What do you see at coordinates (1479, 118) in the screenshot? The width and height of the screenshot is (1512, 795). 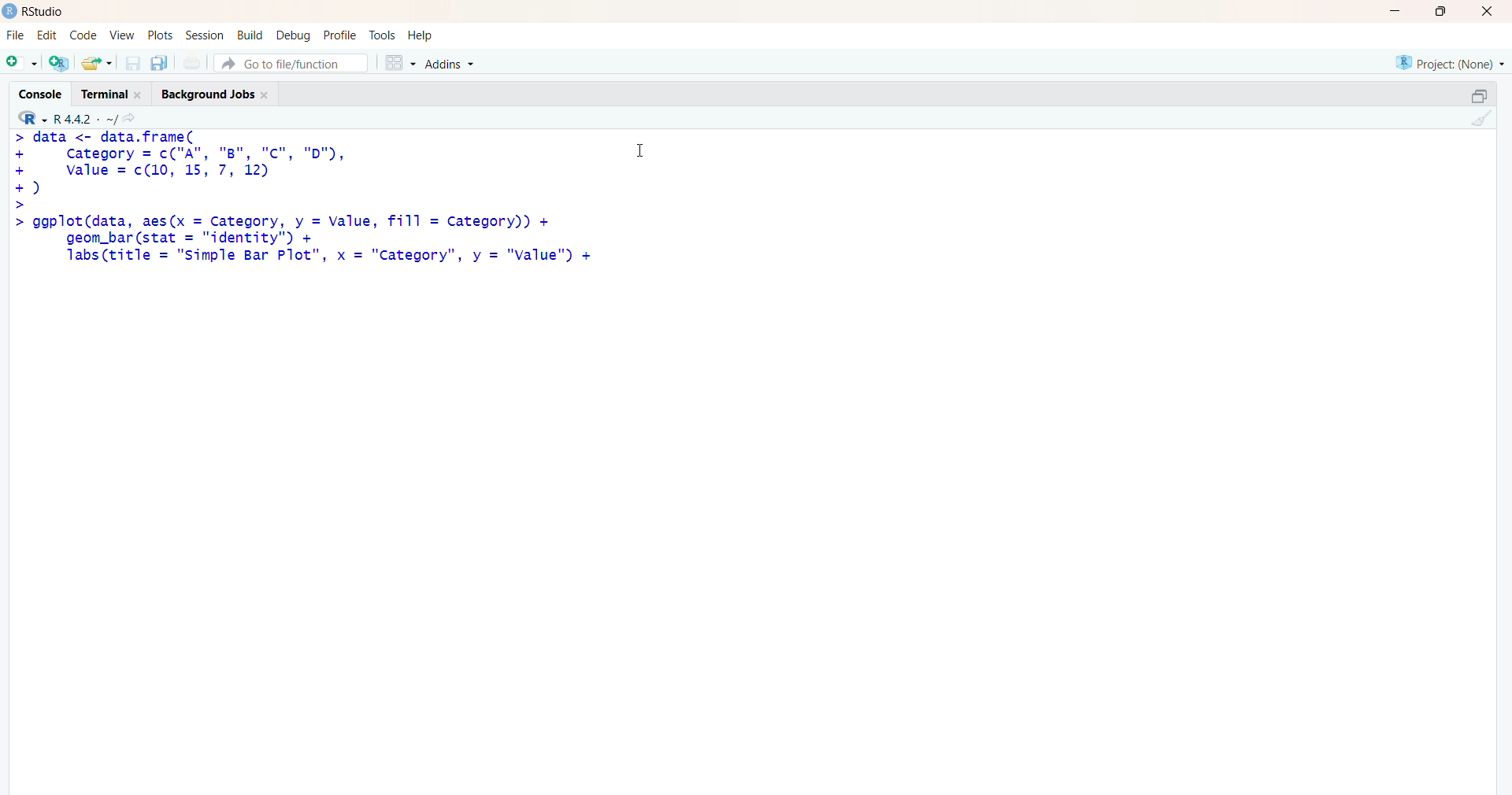 I see `clear console` at bounding box center [1479, 118].